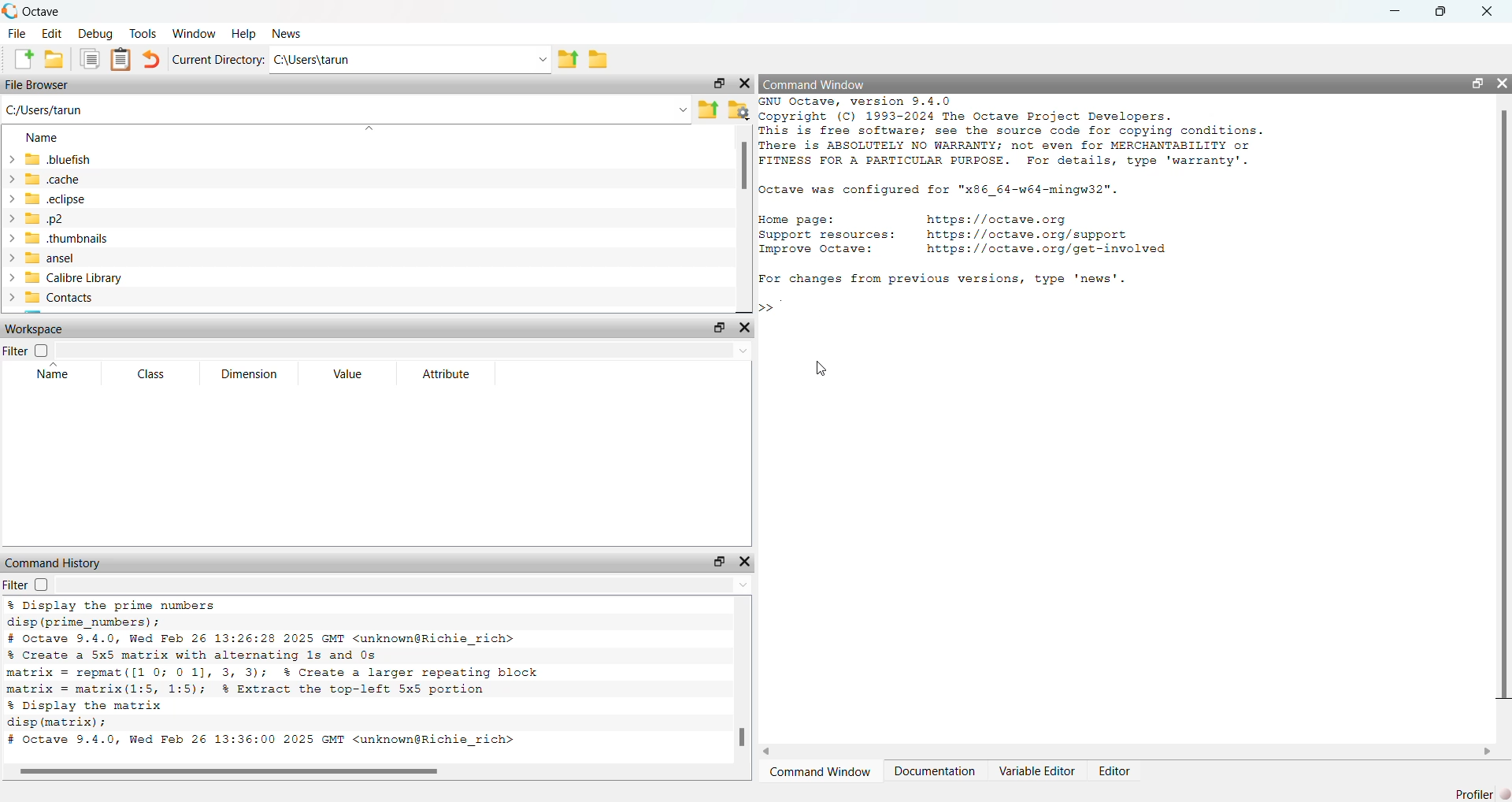 This screenshot has height=802, width=1512. Describe the element at coordinates (194, 32) in the screenshot. I see `window` at that location.